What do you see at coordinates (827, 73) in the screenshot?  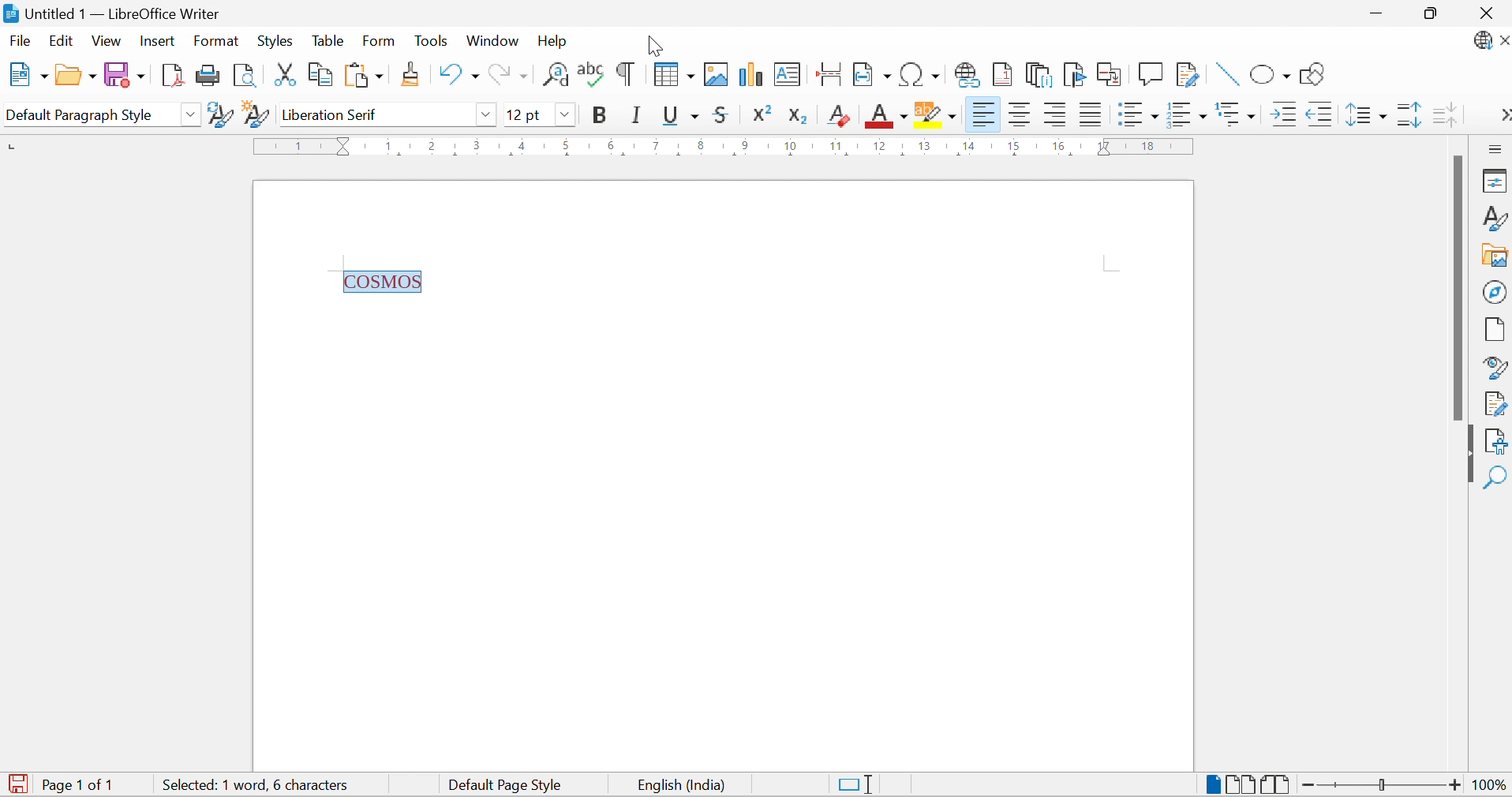 I see `Insert Page Break` at bounding box center [827, 73].